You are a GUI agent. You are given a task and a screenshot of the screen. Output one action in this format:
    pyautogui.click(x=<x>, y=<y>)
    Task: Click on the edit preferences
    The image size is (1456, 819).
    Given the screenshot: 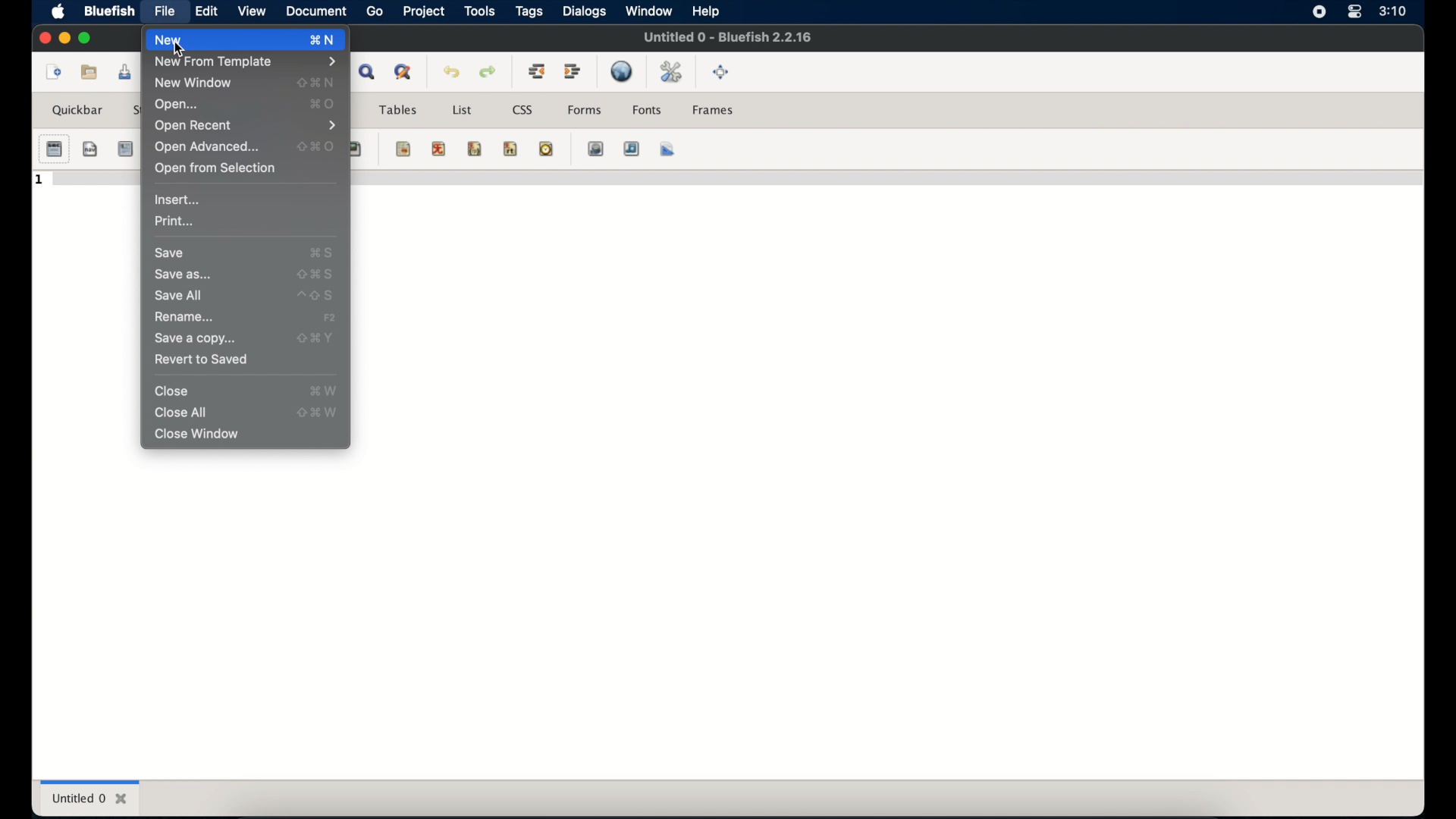 What is the action you would take?
    pyautogui.click(x=673, y=73)
    